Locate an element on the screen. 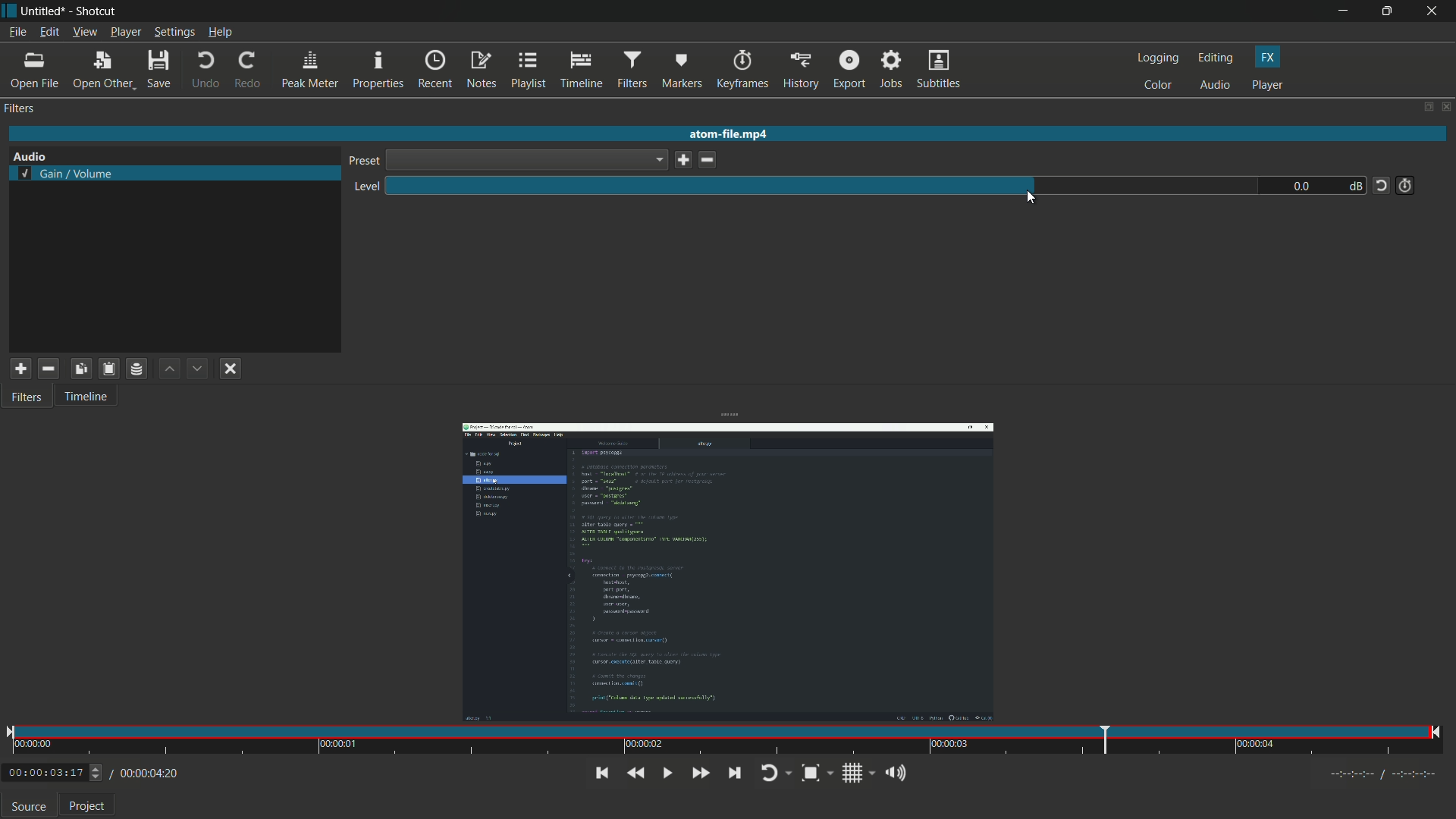 The image size is (1456, 819). level adjustment bar is located at coordinates (823, 184).